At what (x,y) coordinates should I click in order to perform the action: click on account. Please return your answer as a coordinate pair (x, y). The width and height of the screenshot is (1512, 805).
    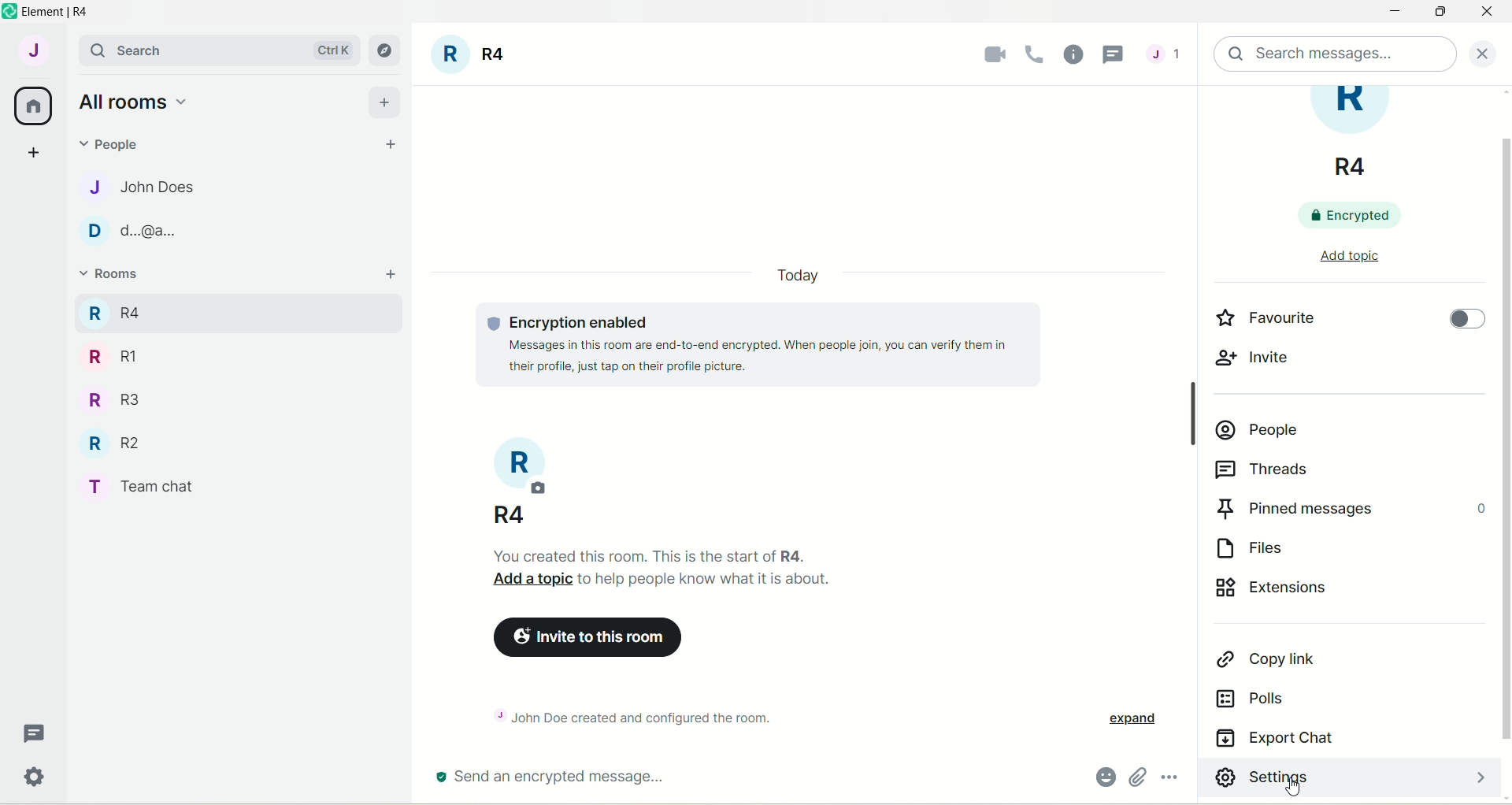
    Looking at the image, I should click on (32, 50).